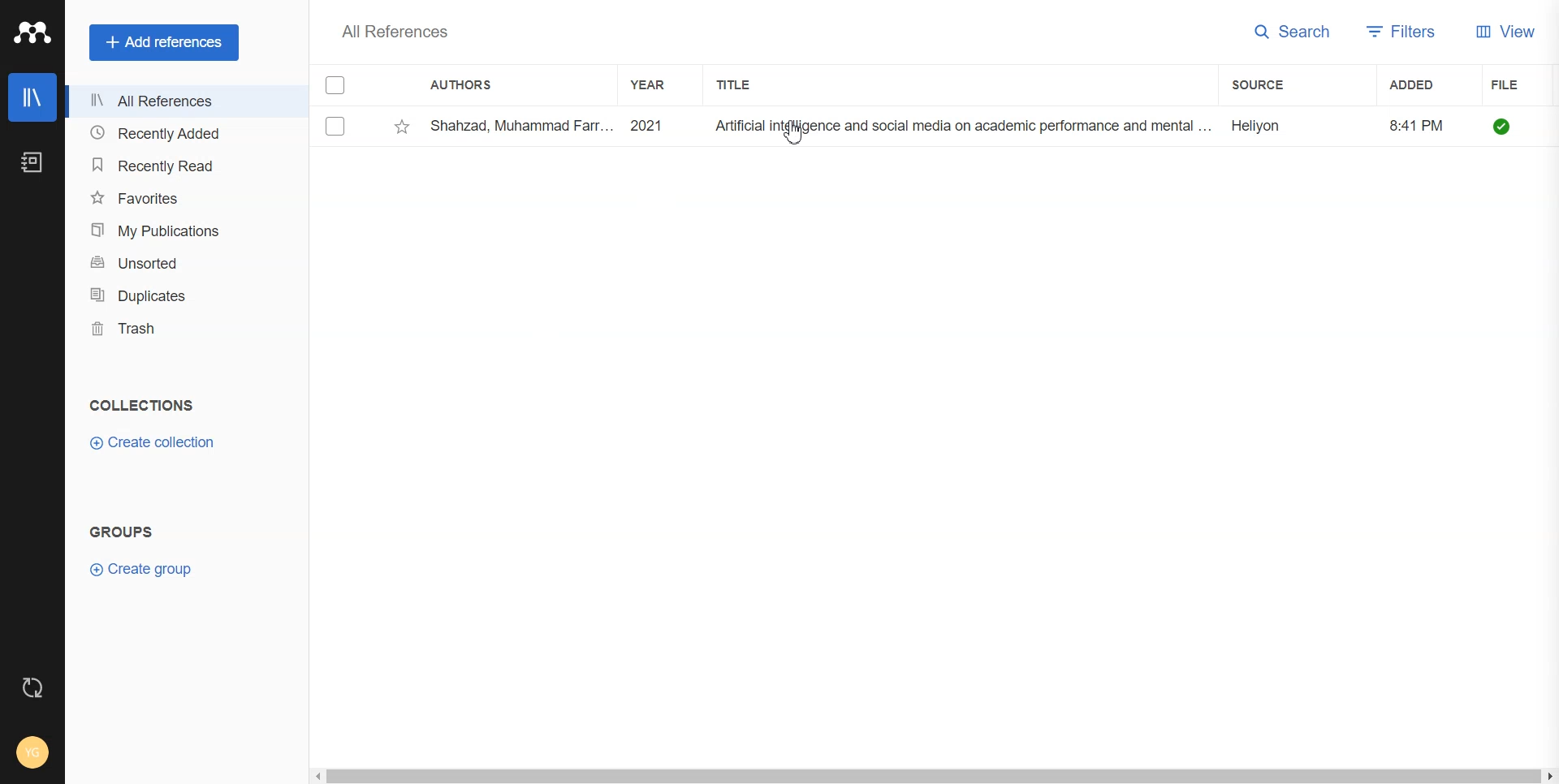 This screenshot has height=784, width=1559. Describe the element at coordinates (1282, 84) in the screenshot. I see `Source` at that location.